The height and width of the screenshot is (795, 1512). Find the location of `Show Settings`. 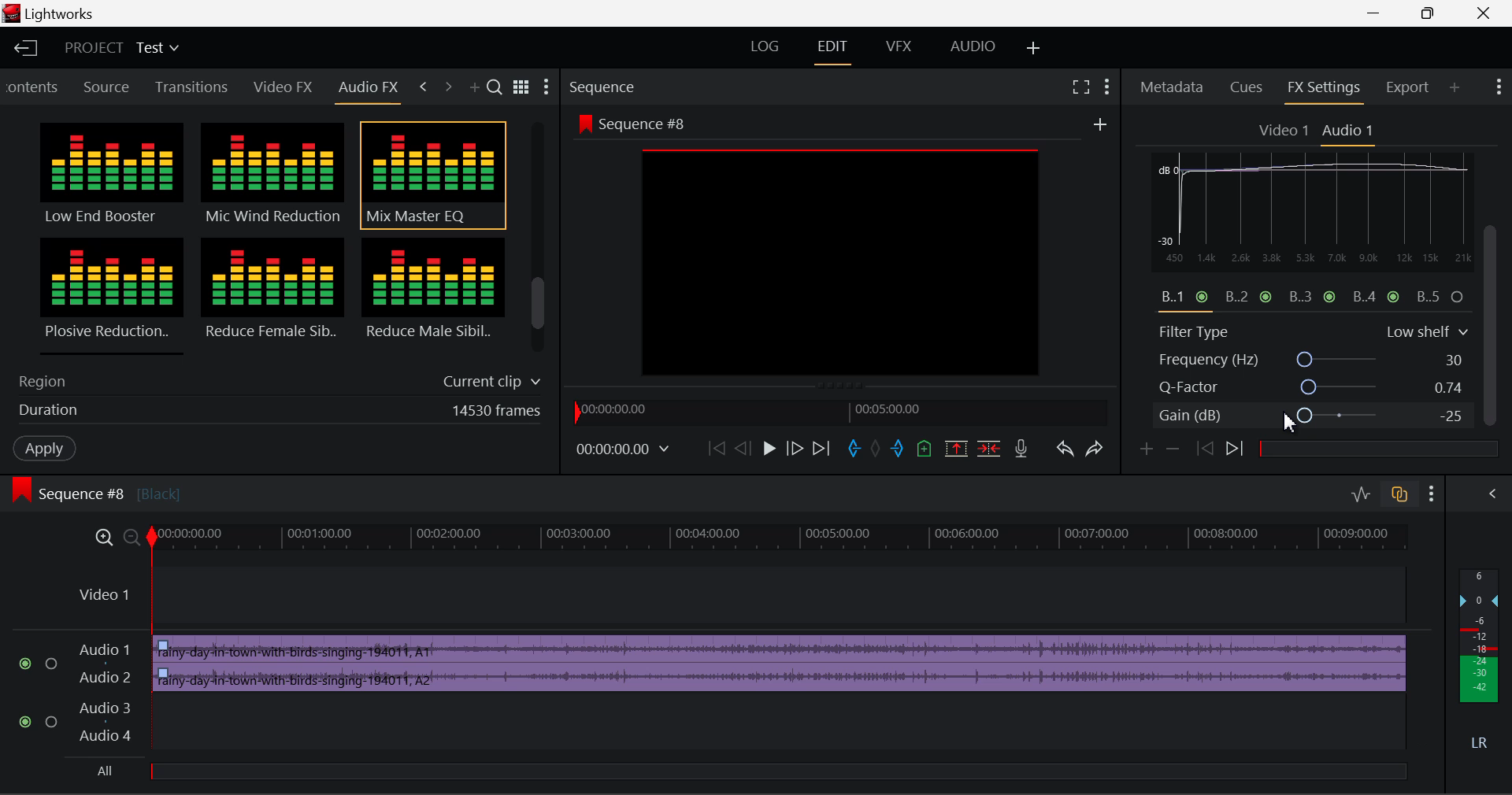

Show Settings is located at coordinates (1107, 87).